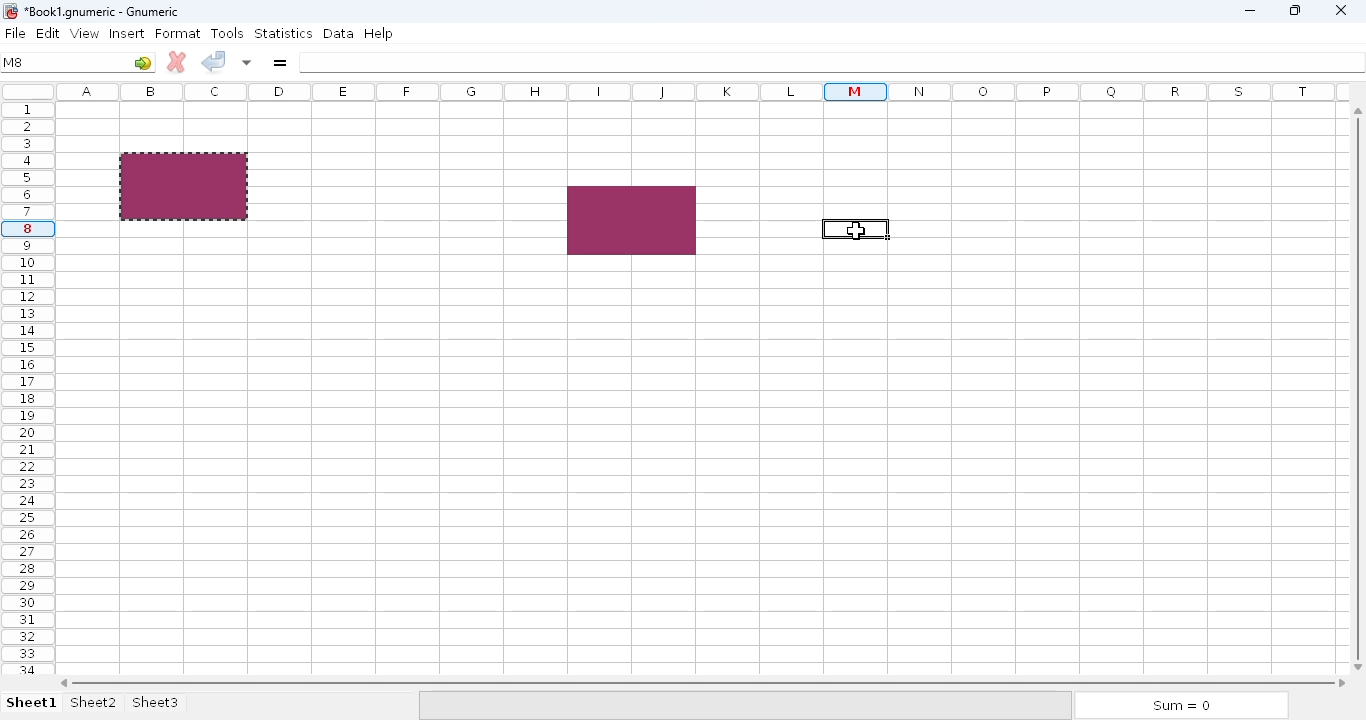 Image resolution: width=1366 pixels, height=720 pixels. Describe the element at coordinates (378, 34) in the screenshot. I see `help` at that location.